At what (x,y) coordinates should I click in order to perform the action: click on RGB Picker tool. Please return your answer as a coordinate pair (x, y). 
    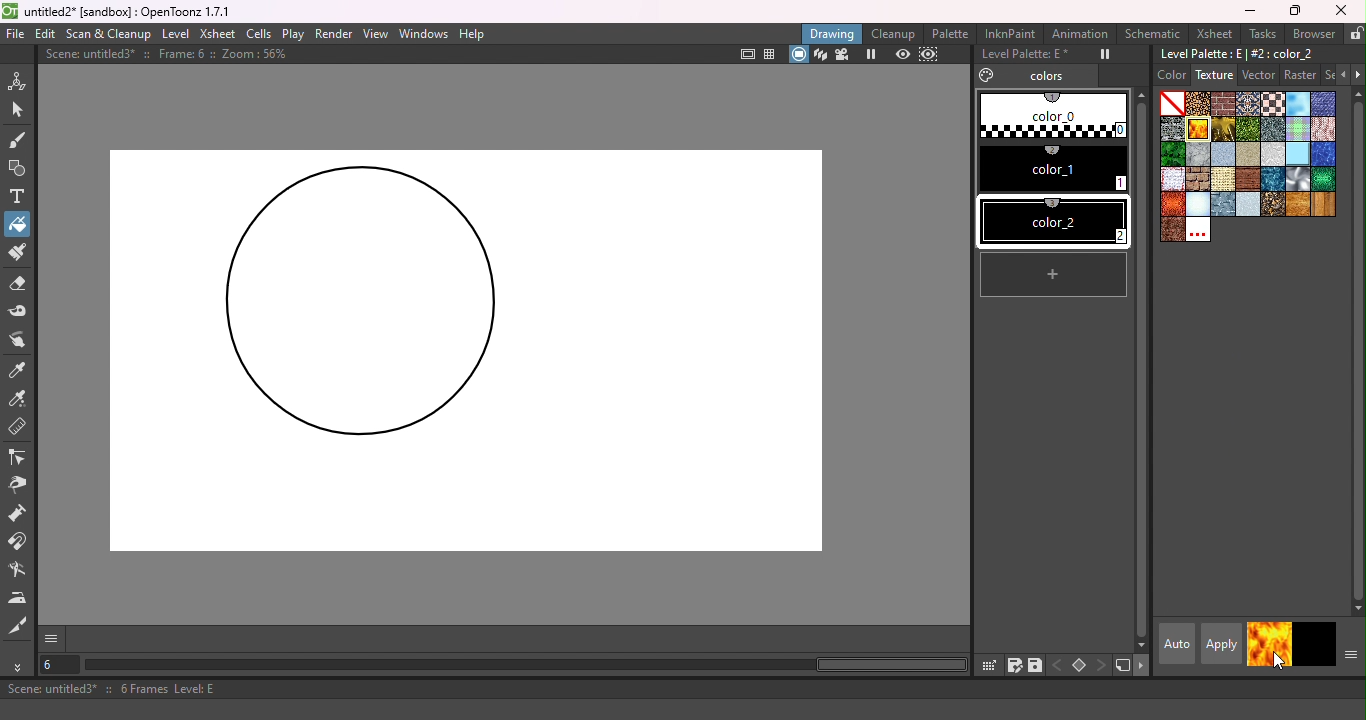
    Looking at the image, I should click on (23, 400).